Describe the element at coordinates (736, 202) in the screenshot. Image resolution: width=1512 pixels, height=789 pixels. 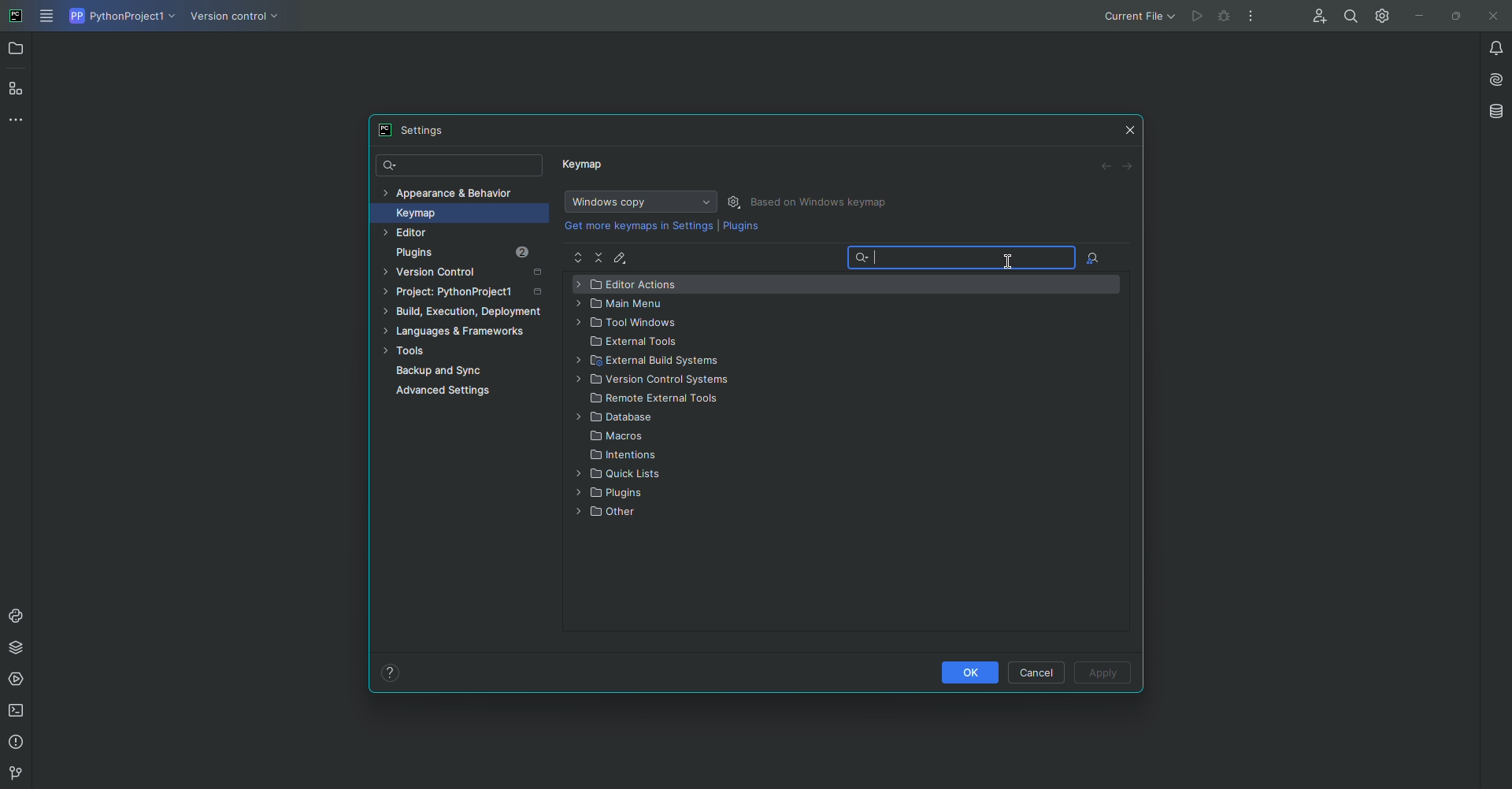
I see `Settings` at that location.